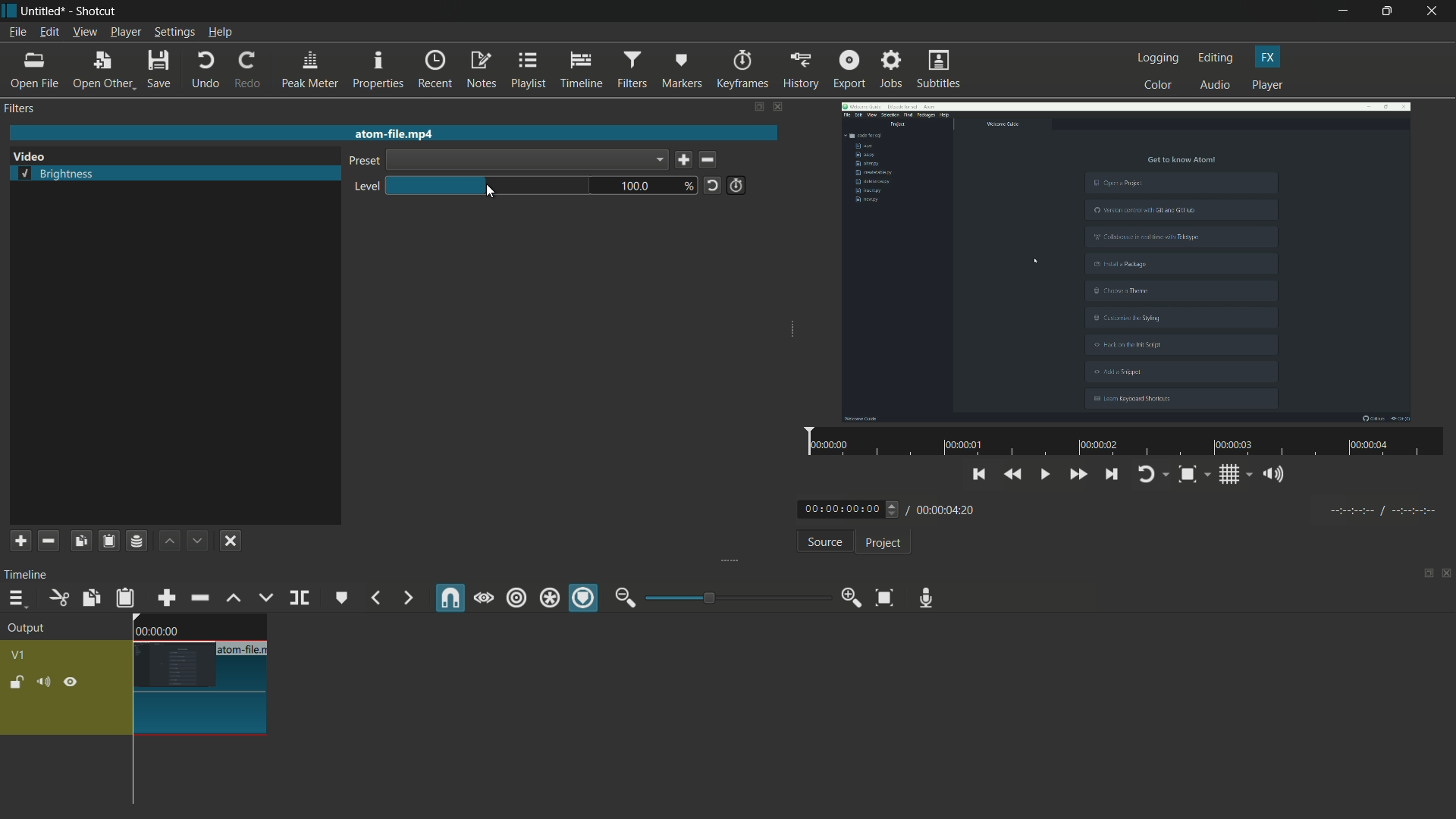 This screenshot has width=1456, height=819. What do you see at coordinates (46, 682) in the screenshot?
I see `mute` at bounding box center [46, 682].